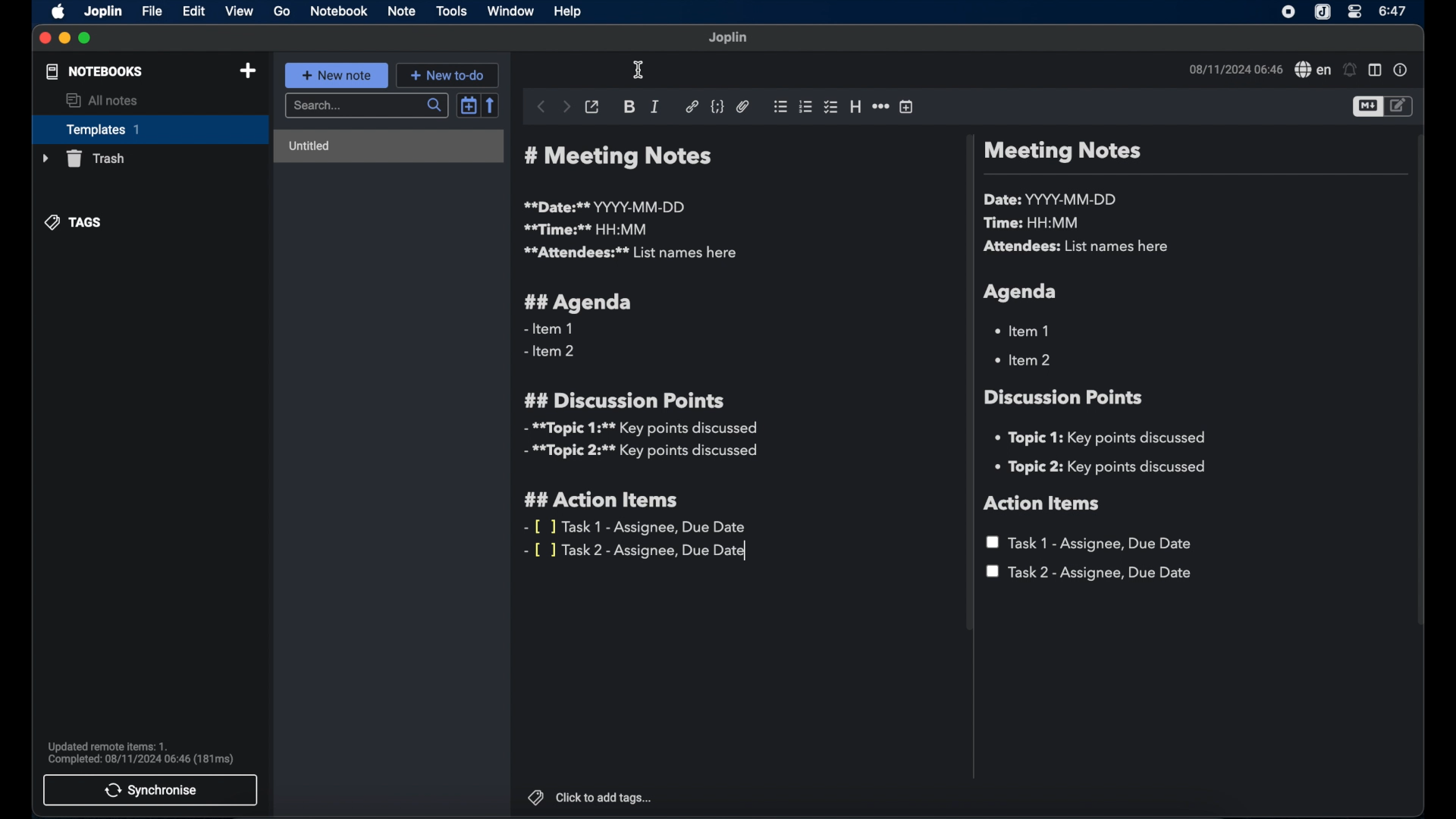 This screenshot has height=819, width=1456. I want to click on heading, so click(855, 108).